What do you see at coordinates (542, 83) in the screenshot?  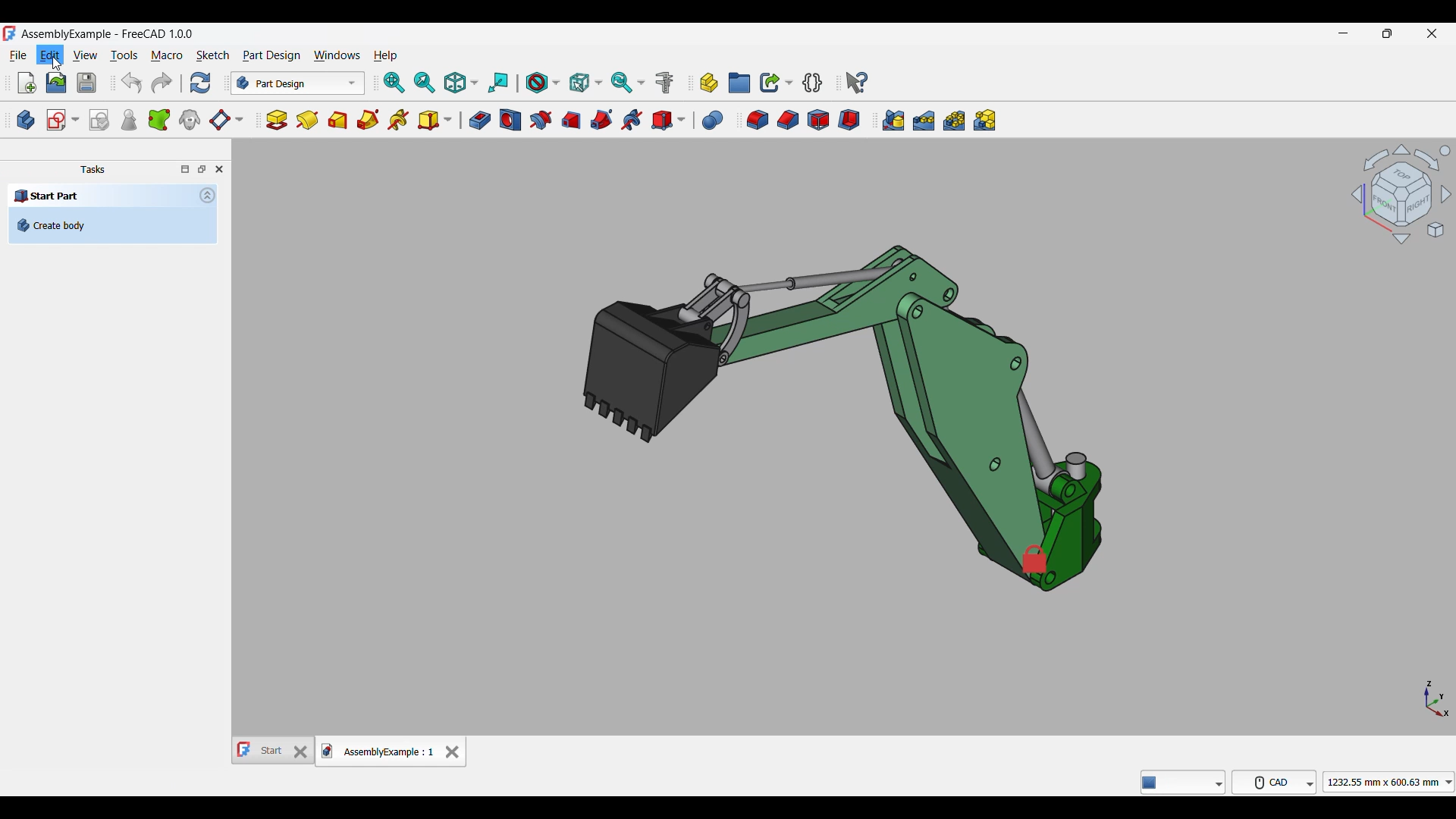 I see `Draw style` at bounding box center [542, 83].